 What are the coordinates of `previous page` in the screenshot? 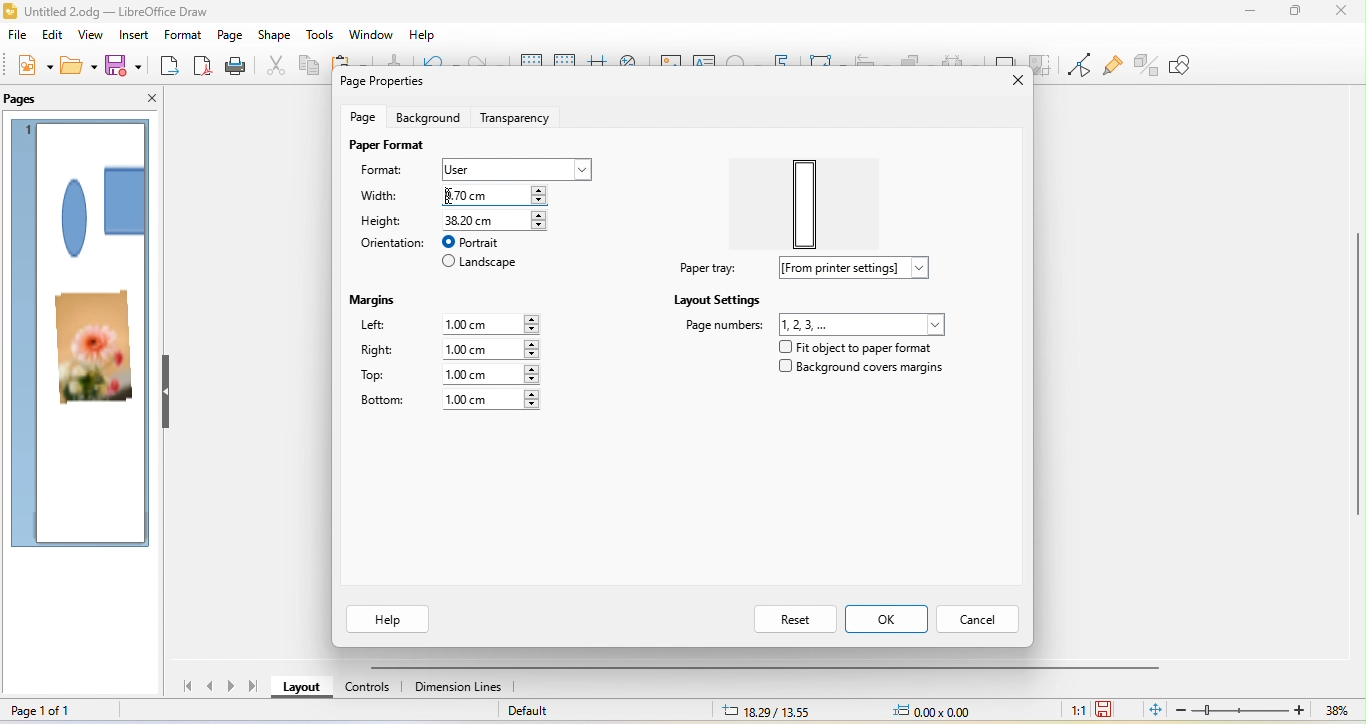 It's located at (214, 689).